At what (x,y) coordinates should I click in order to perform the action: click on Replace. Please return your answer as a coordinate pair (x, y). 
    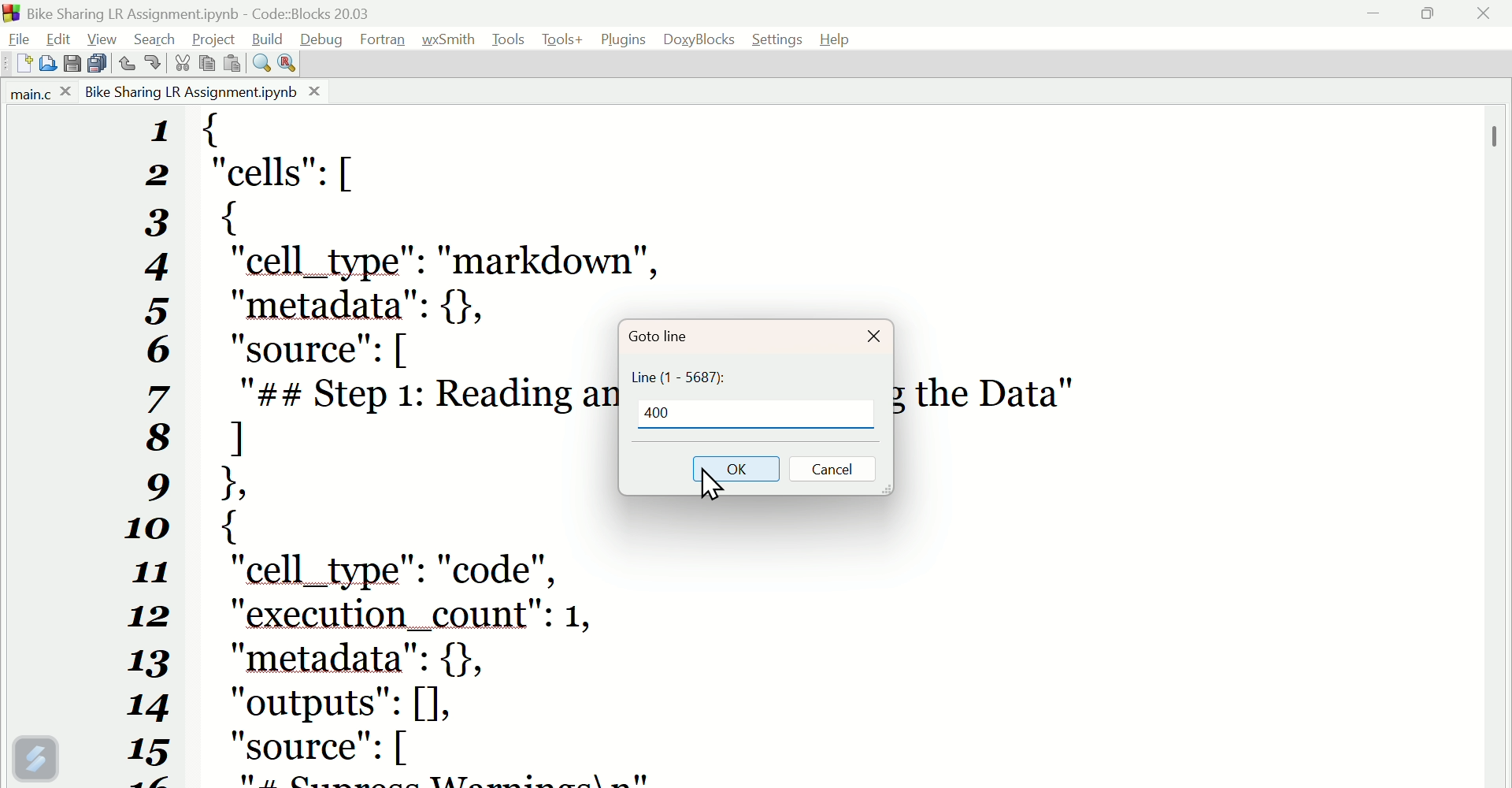
    Looking at the image, I should click on (287, 62).